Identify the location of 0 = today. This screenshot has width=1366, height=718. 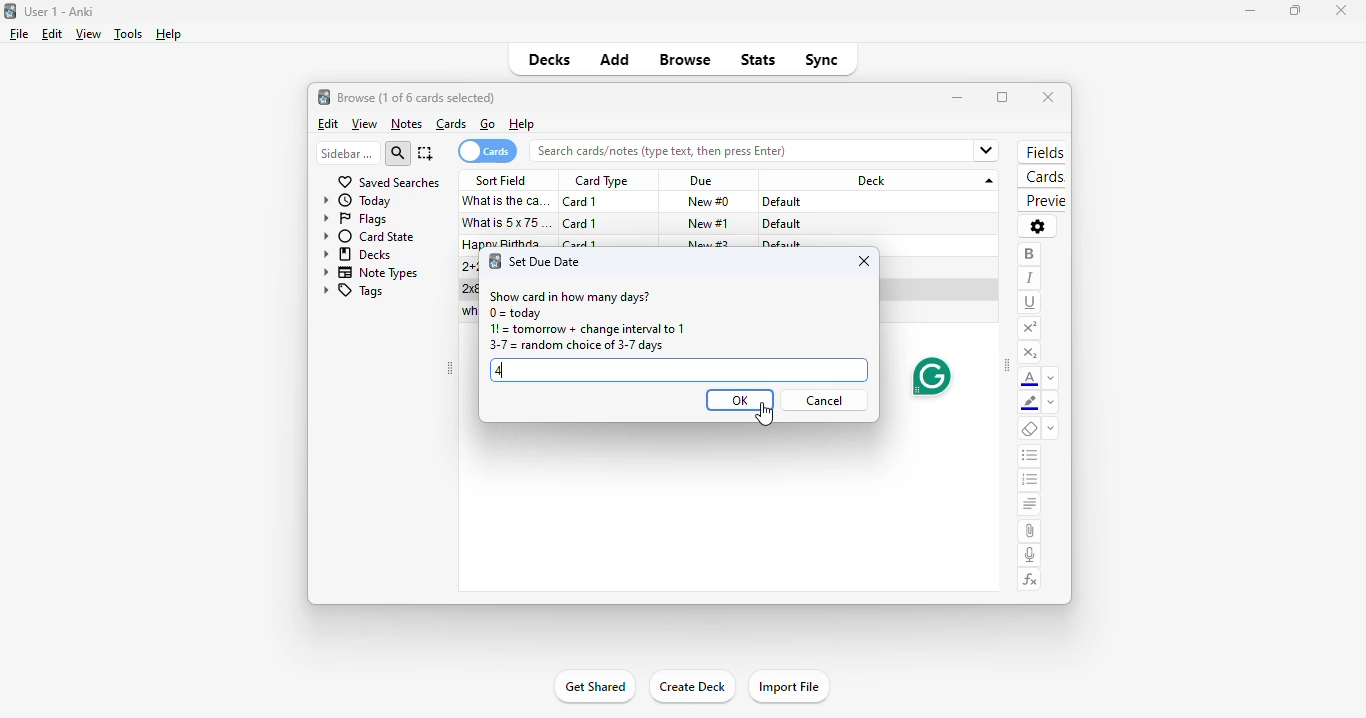
(516, 313).